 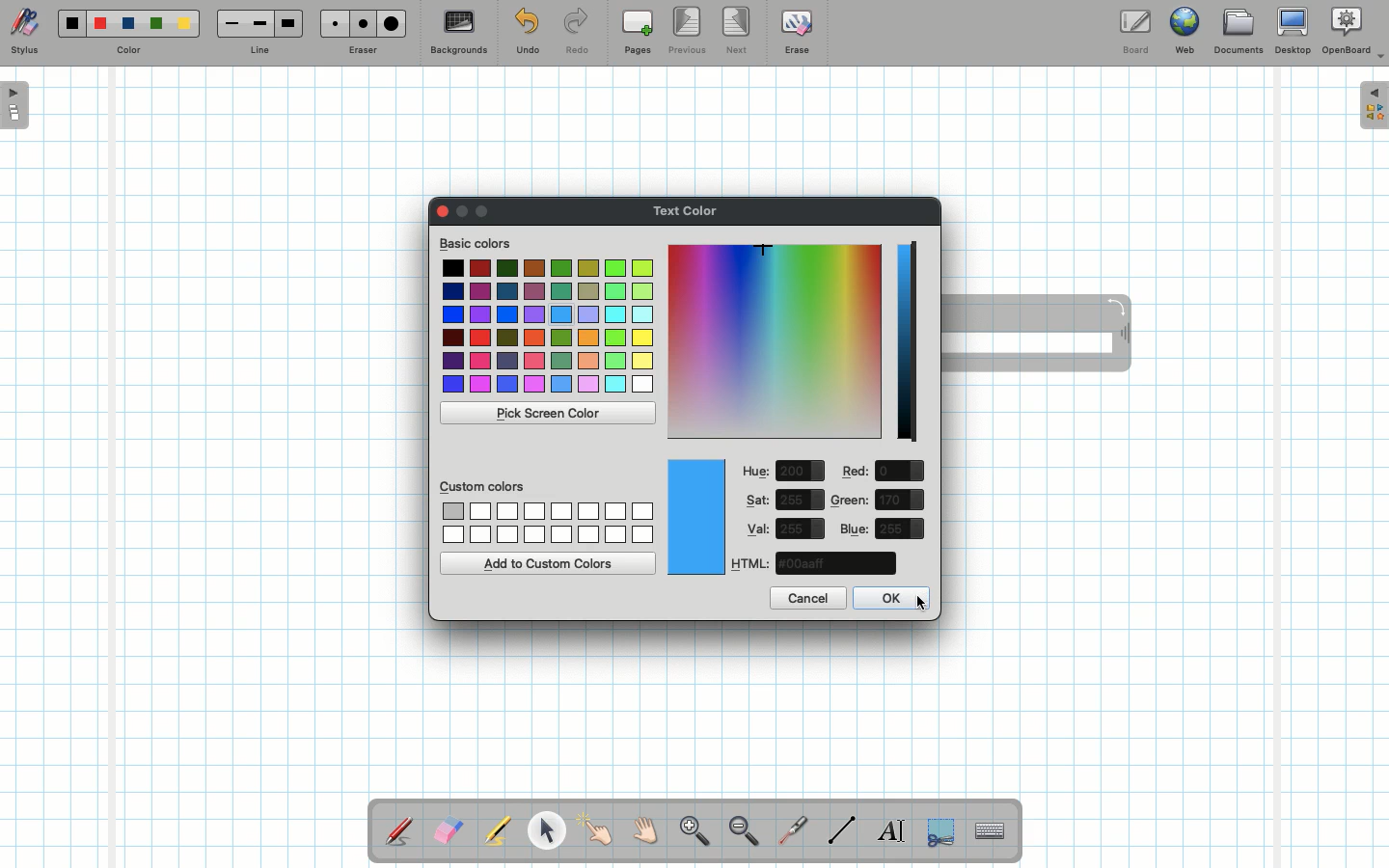 What do you see at coordinates (912, 343) in the screenshot?
I see `Darkness` at bounding box center [912, 343].